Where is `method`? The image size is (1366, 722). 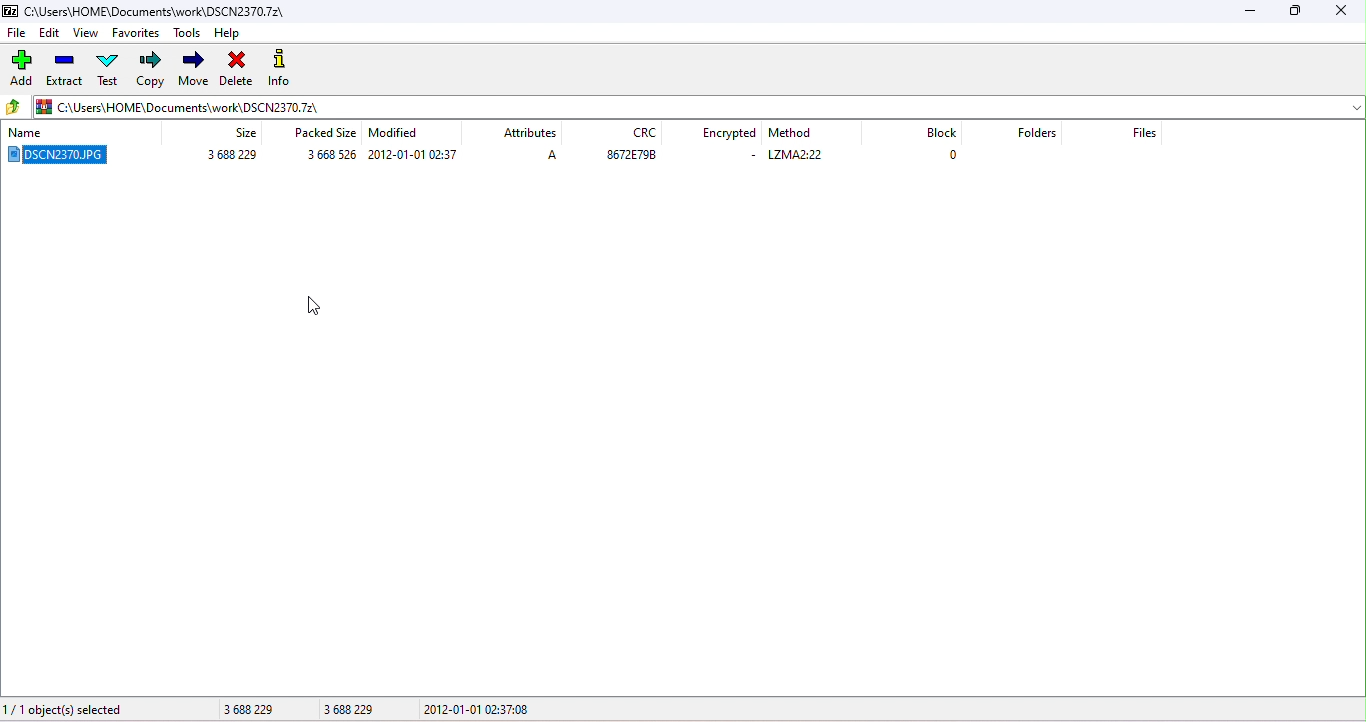
method is located at coordinates (791, 135).